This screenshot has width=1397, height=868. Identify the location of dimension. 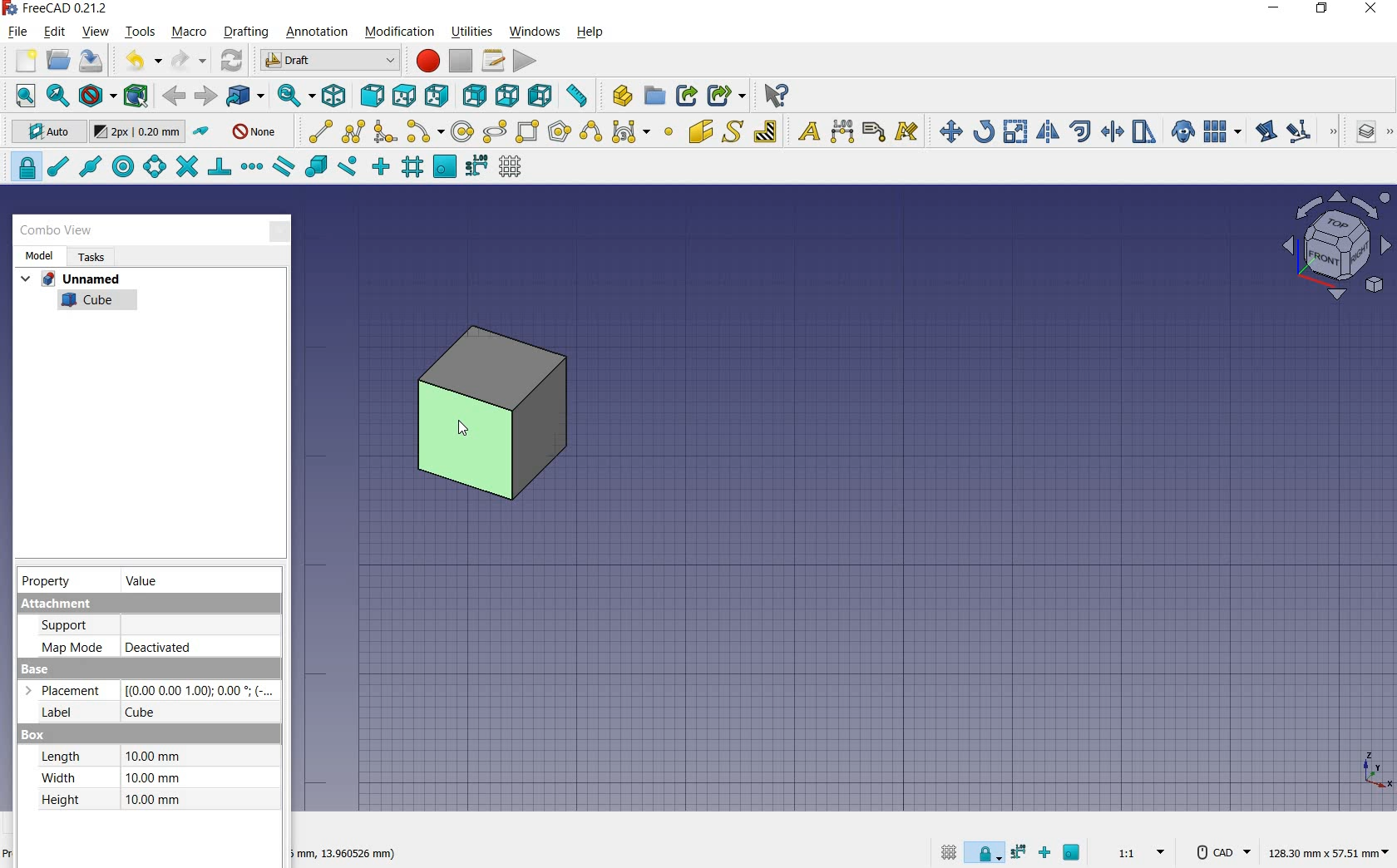
(843, 131).